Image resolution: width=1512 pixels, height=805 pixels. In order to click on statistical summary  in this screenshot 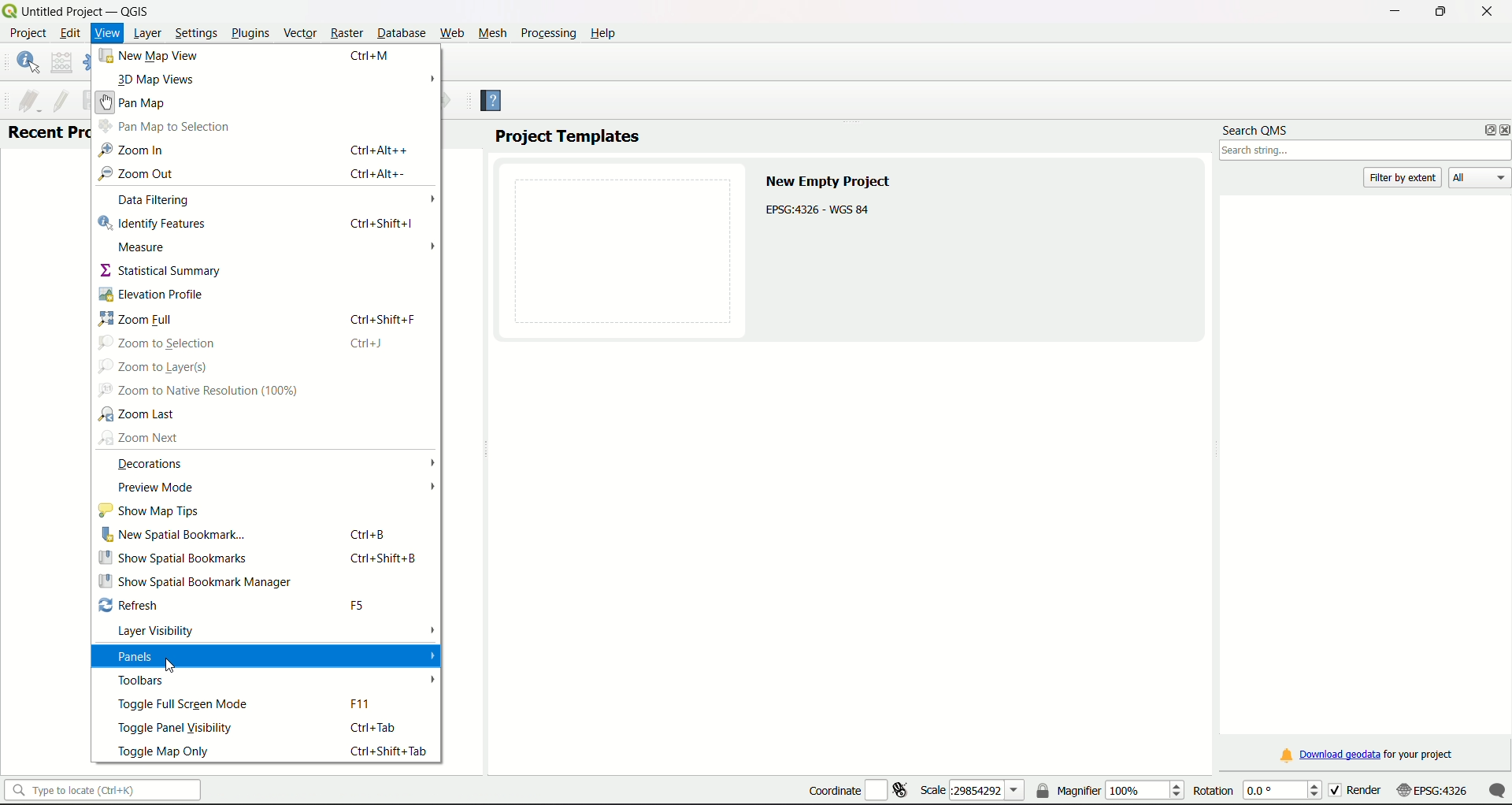, I will do `click(161, 269)`.